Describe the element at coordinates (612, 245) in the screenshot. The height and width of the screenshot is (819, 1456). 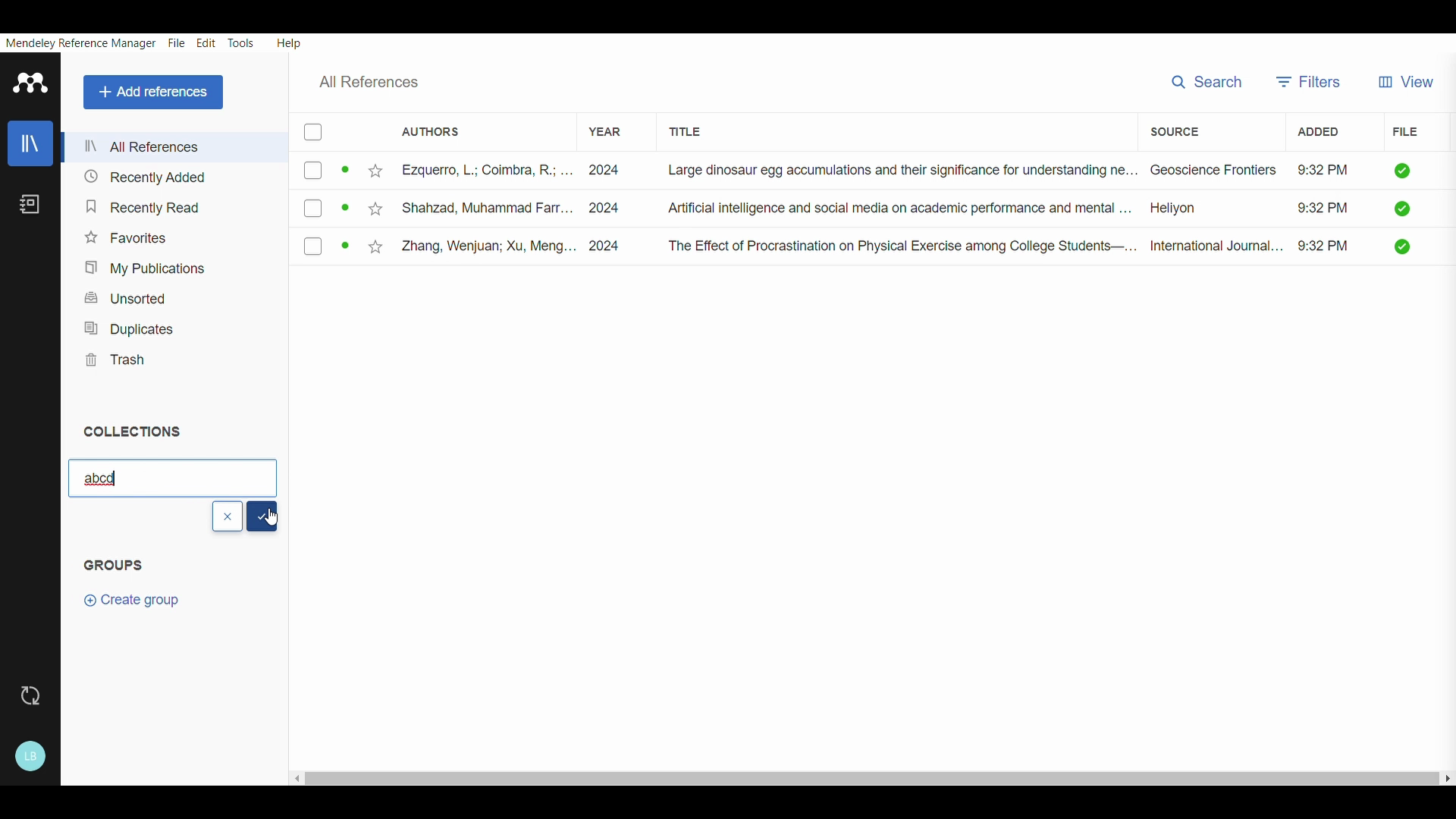
I see `2024` at that location.